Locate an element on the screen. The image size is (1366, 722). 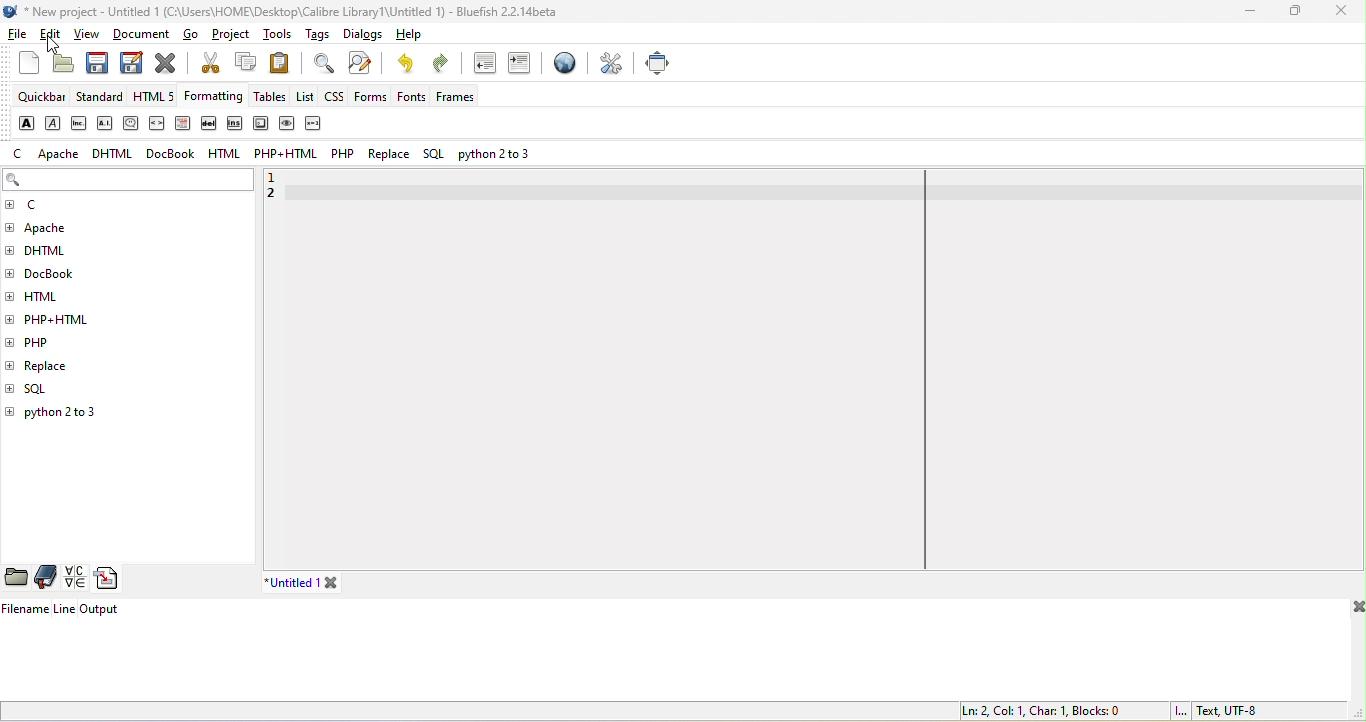
php is located at coordinates (49, 341).